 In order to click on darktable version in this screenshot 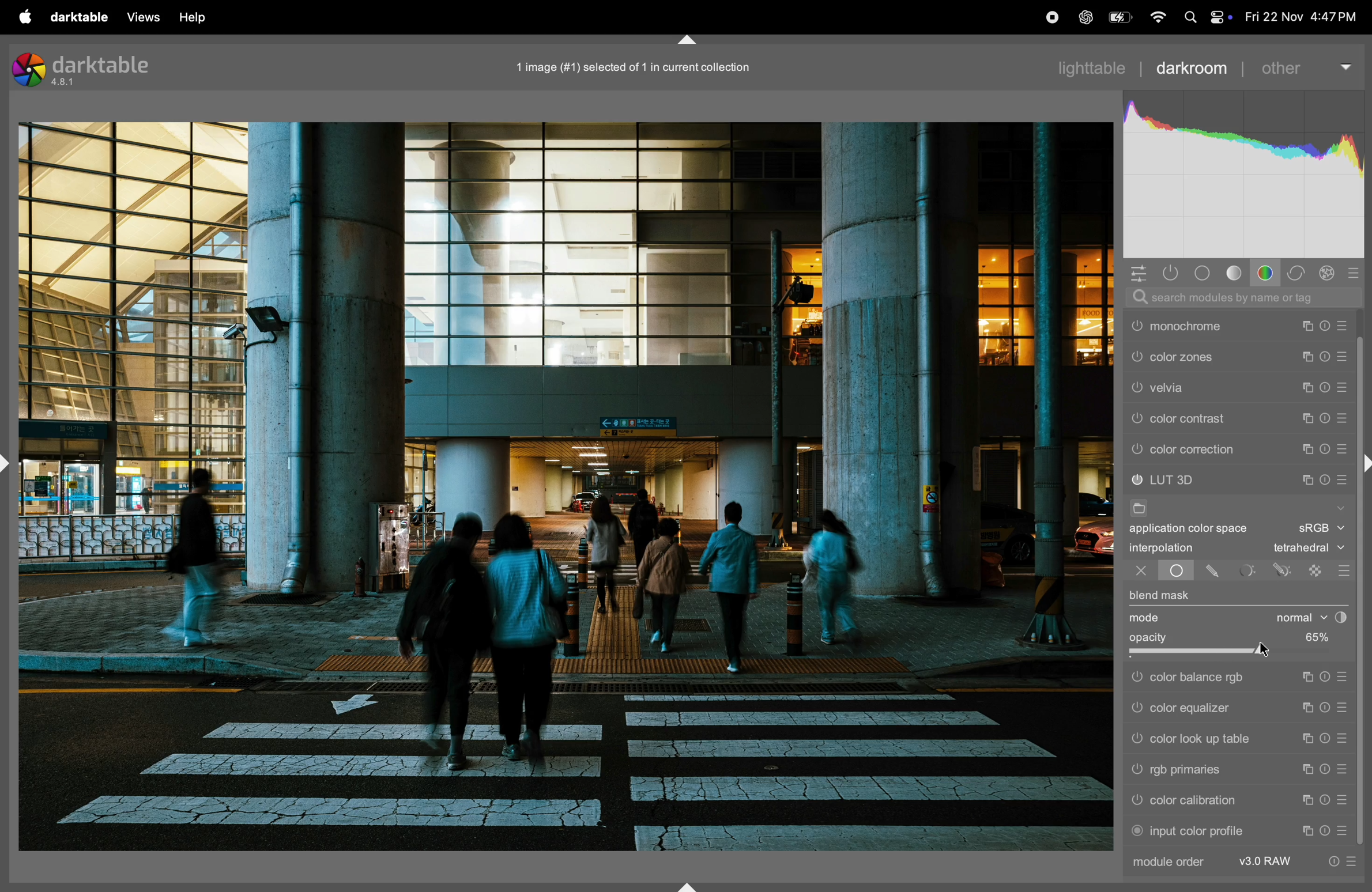, I will do `click(105, 70)`.